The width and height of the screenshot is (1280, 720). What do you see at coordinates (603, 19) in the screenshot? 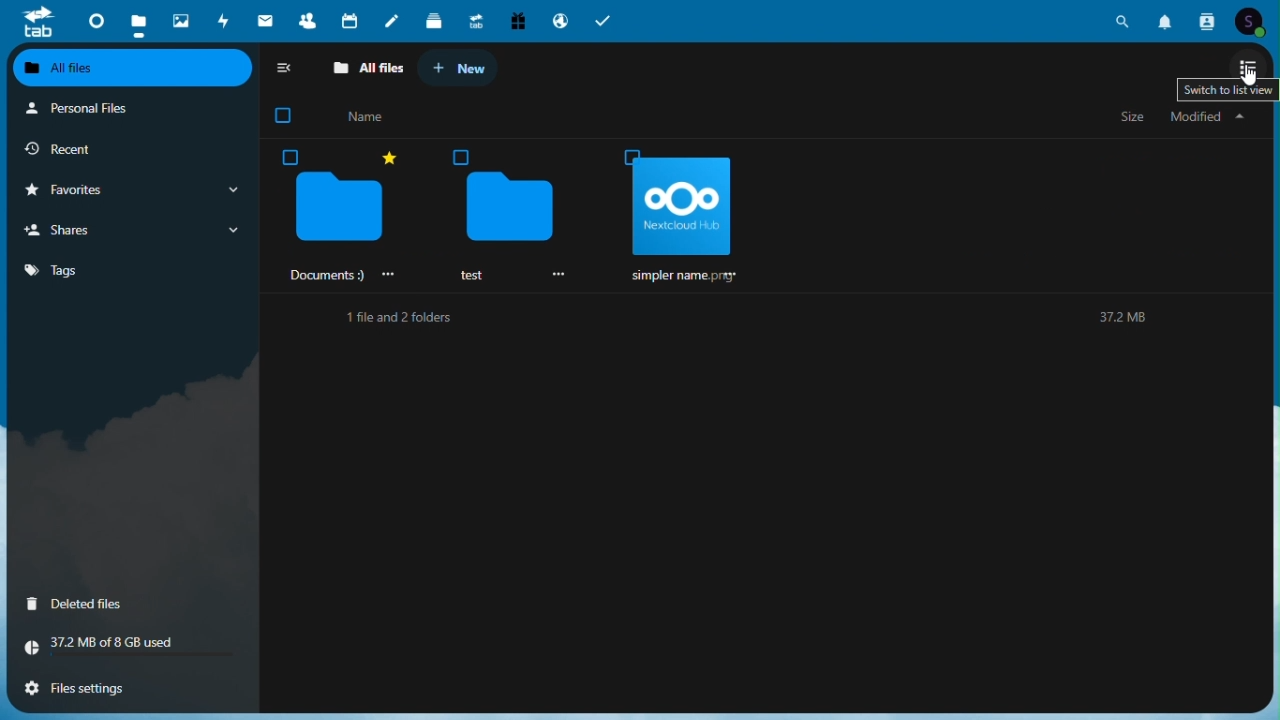
I see `tasks` at bounding box center [603, 19].